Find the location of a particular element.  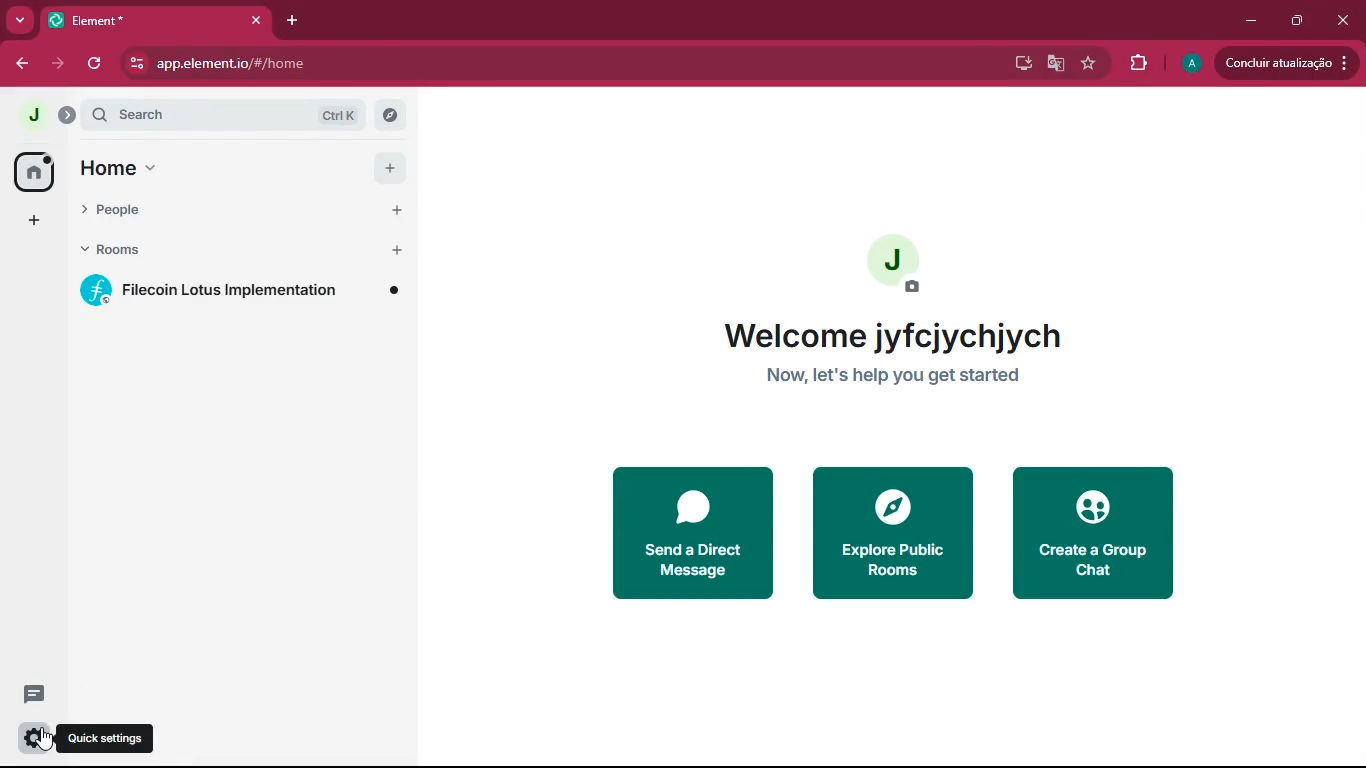

forward is located at coordinates (61, 66).